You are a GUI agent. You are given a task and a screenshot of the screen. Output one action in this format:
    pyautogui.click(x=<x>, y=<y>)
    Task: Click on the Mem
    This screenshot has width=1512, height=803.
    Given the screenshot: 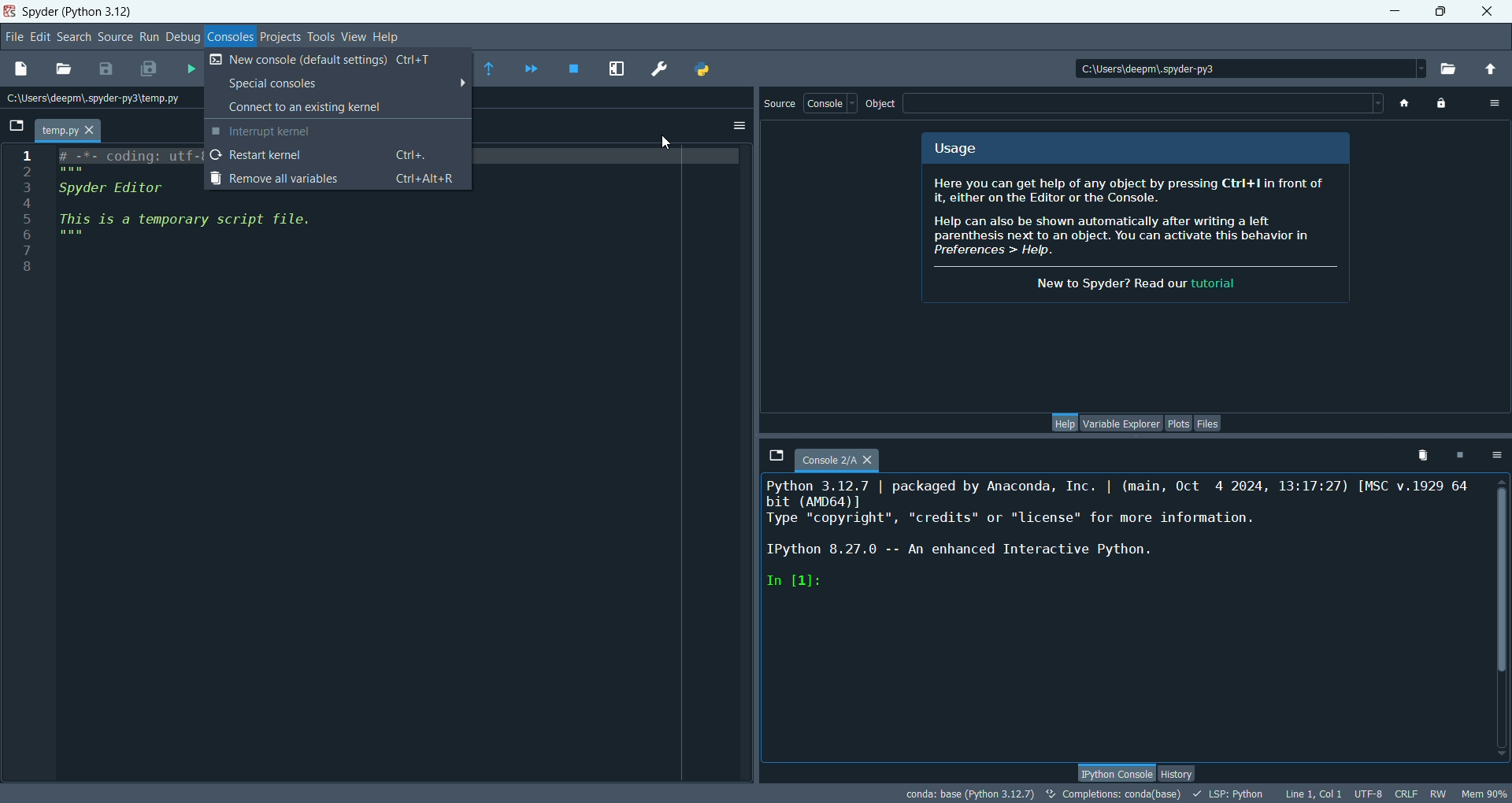 What is the action you would take?
    pyautogui.click(x=1485, y=794)
    